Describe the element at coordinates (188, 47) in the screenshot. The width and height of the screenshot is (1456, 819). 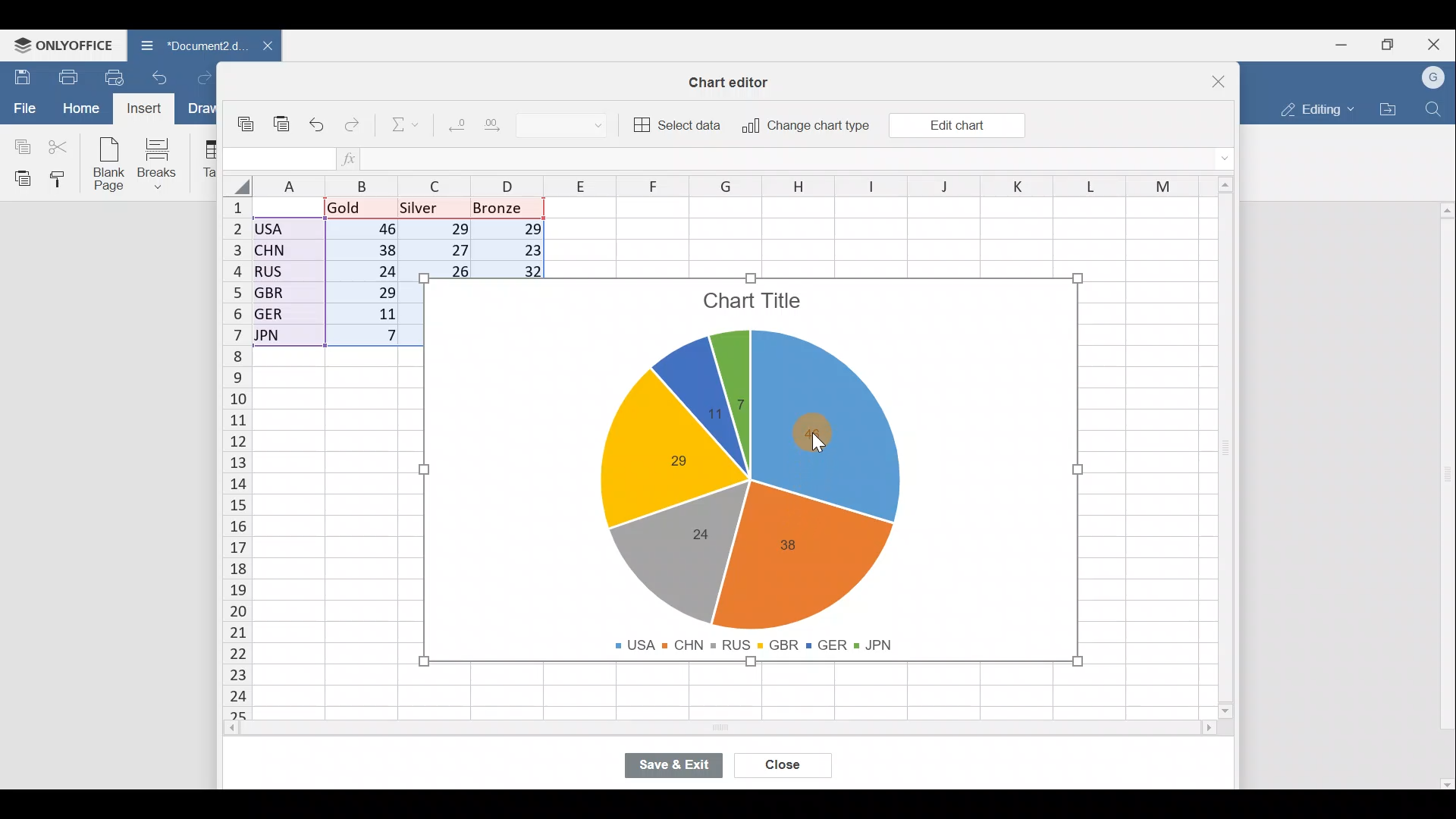
I see `Document name` at that location.